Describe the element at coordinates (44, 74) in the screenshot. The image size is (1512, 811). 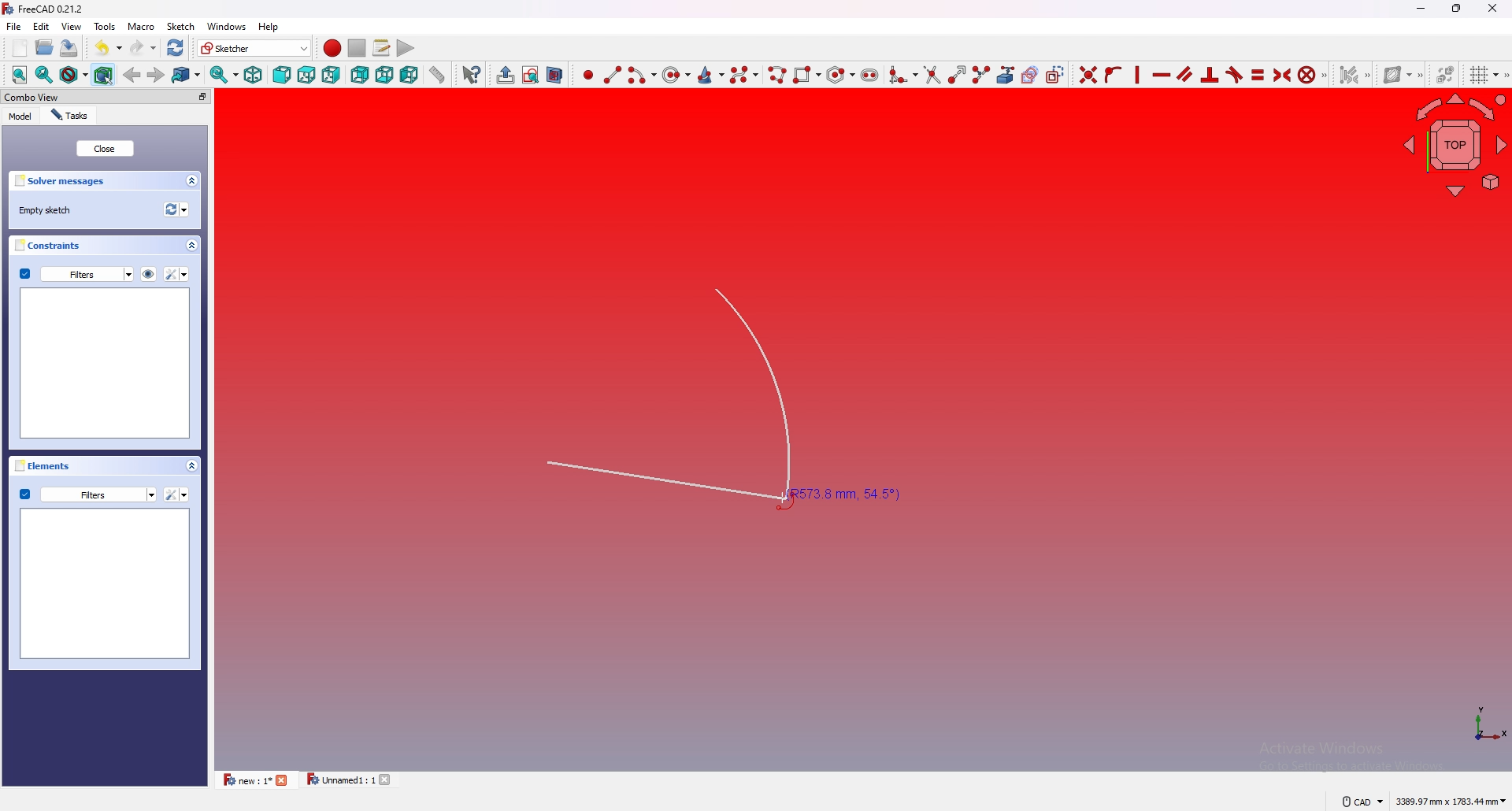
I see `fit selection` at that location.